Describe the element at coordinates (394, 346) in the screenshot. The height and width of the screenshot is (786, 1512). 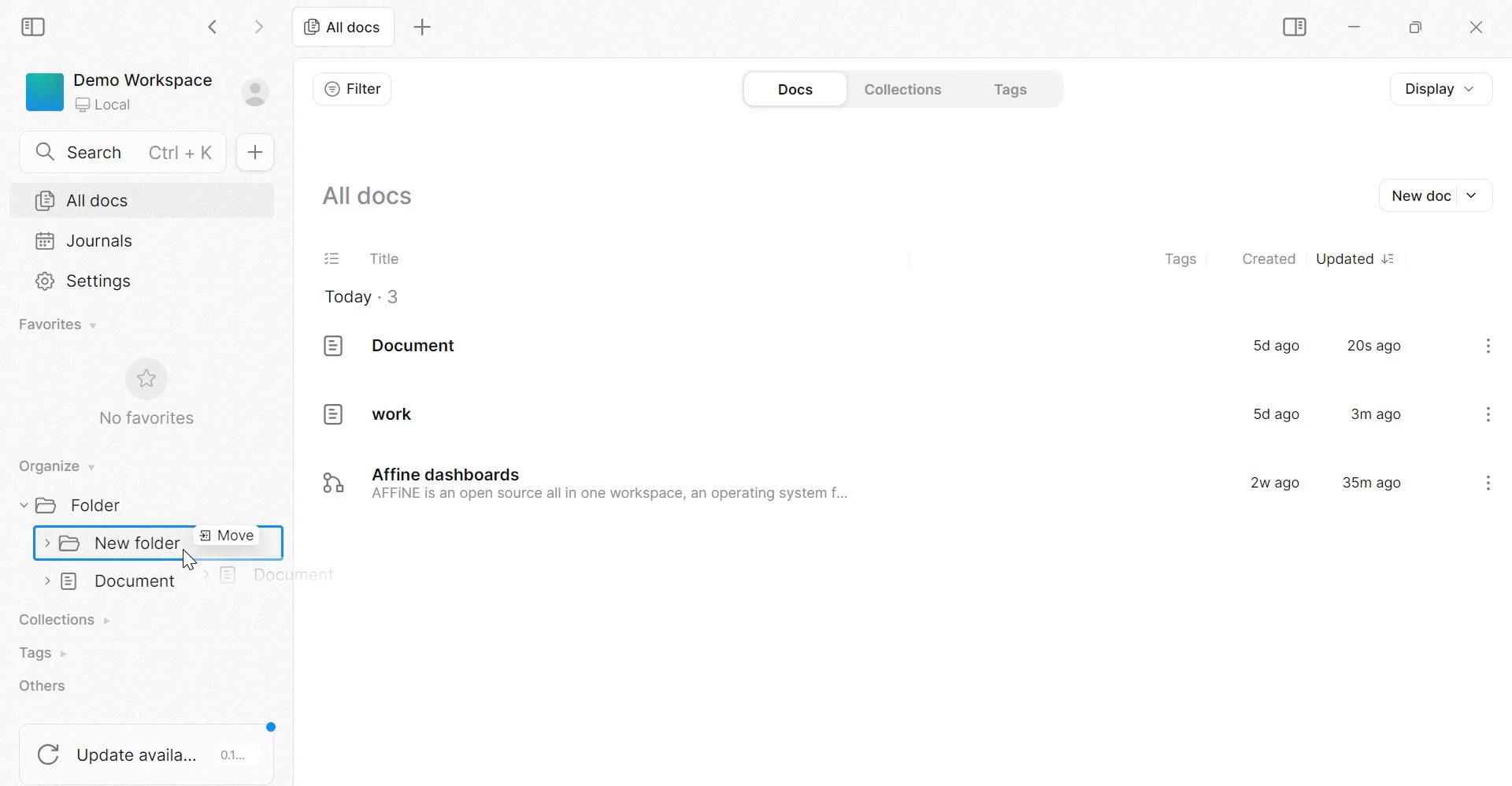
I see `document` at that location.